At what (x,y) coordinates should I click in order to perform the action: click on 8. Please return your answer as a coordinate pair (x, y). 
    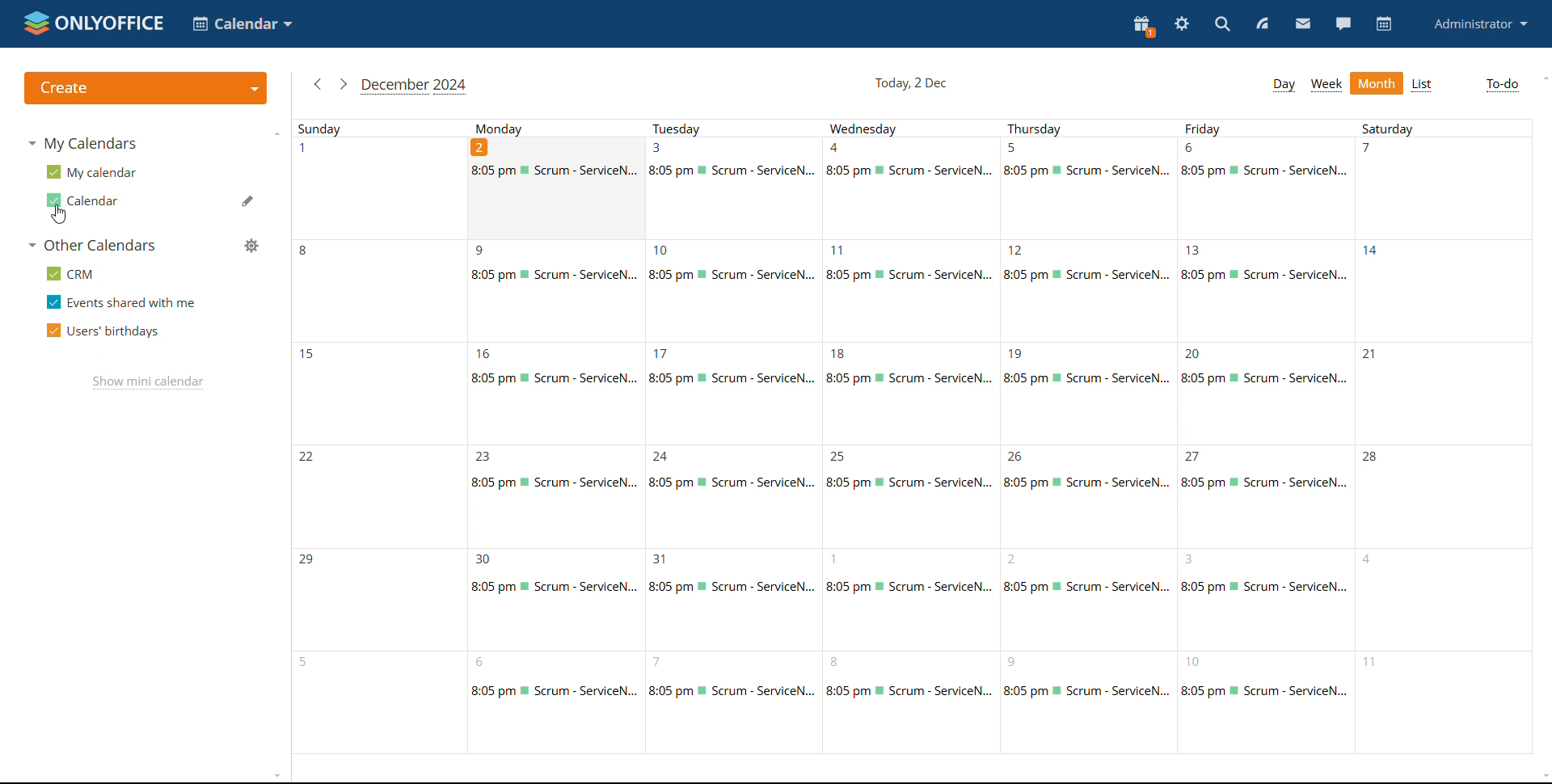
    Looking at the image, I should click on (376, 289).